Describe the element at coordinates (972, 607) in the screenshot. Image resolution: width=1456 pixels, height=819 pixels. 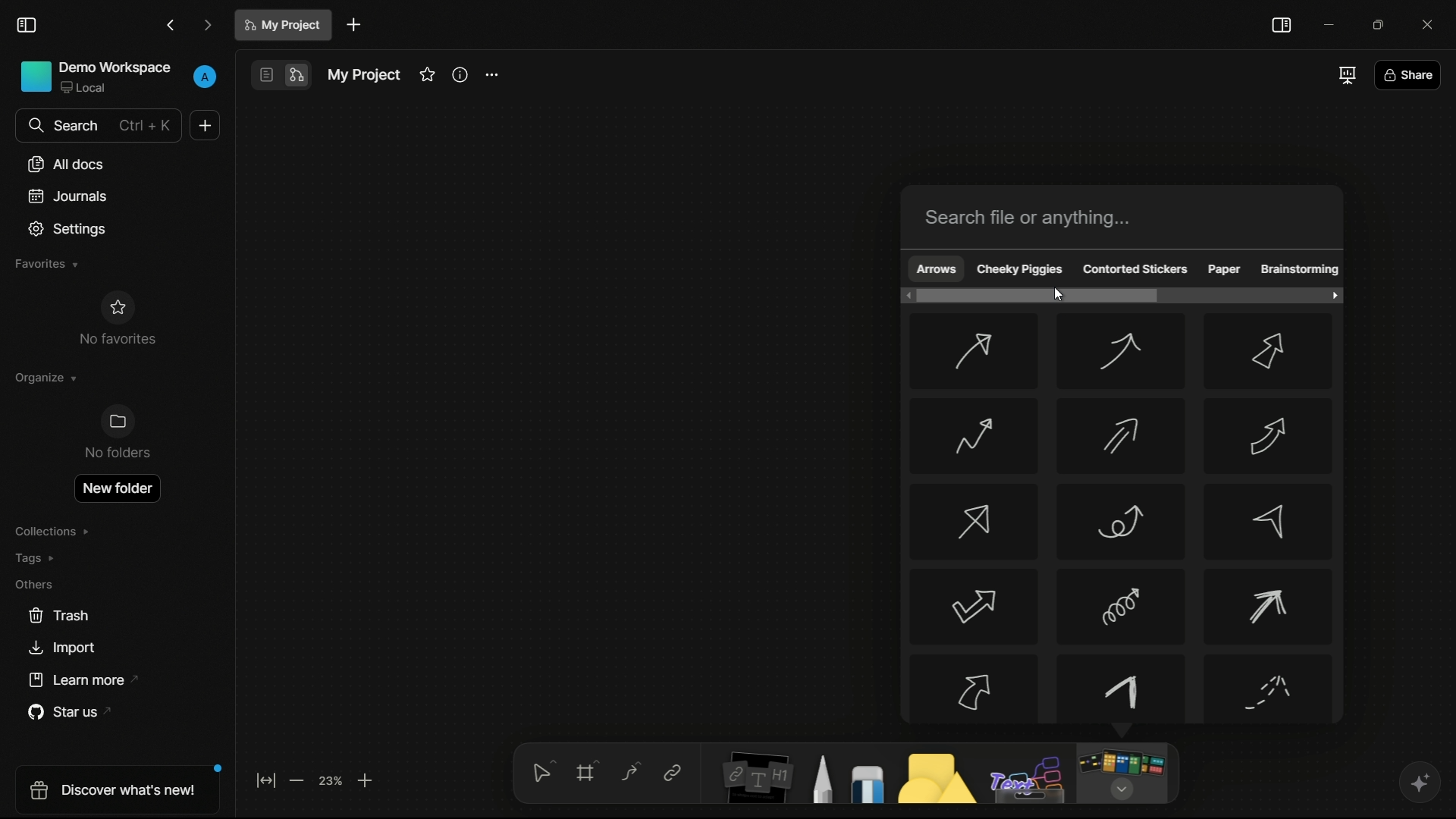
I see `arrow-10` at that location.